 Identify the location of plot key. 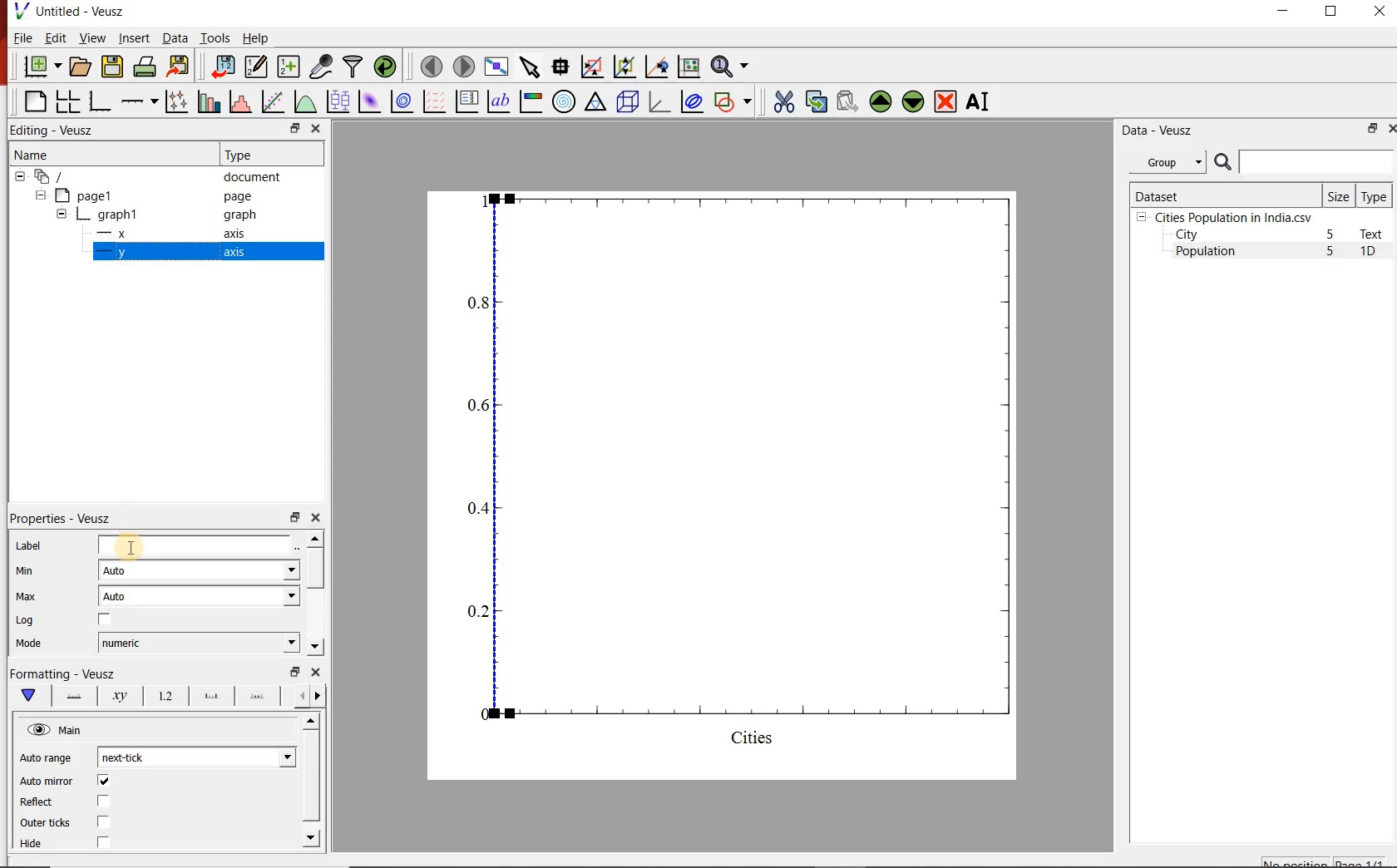
(466, 101).